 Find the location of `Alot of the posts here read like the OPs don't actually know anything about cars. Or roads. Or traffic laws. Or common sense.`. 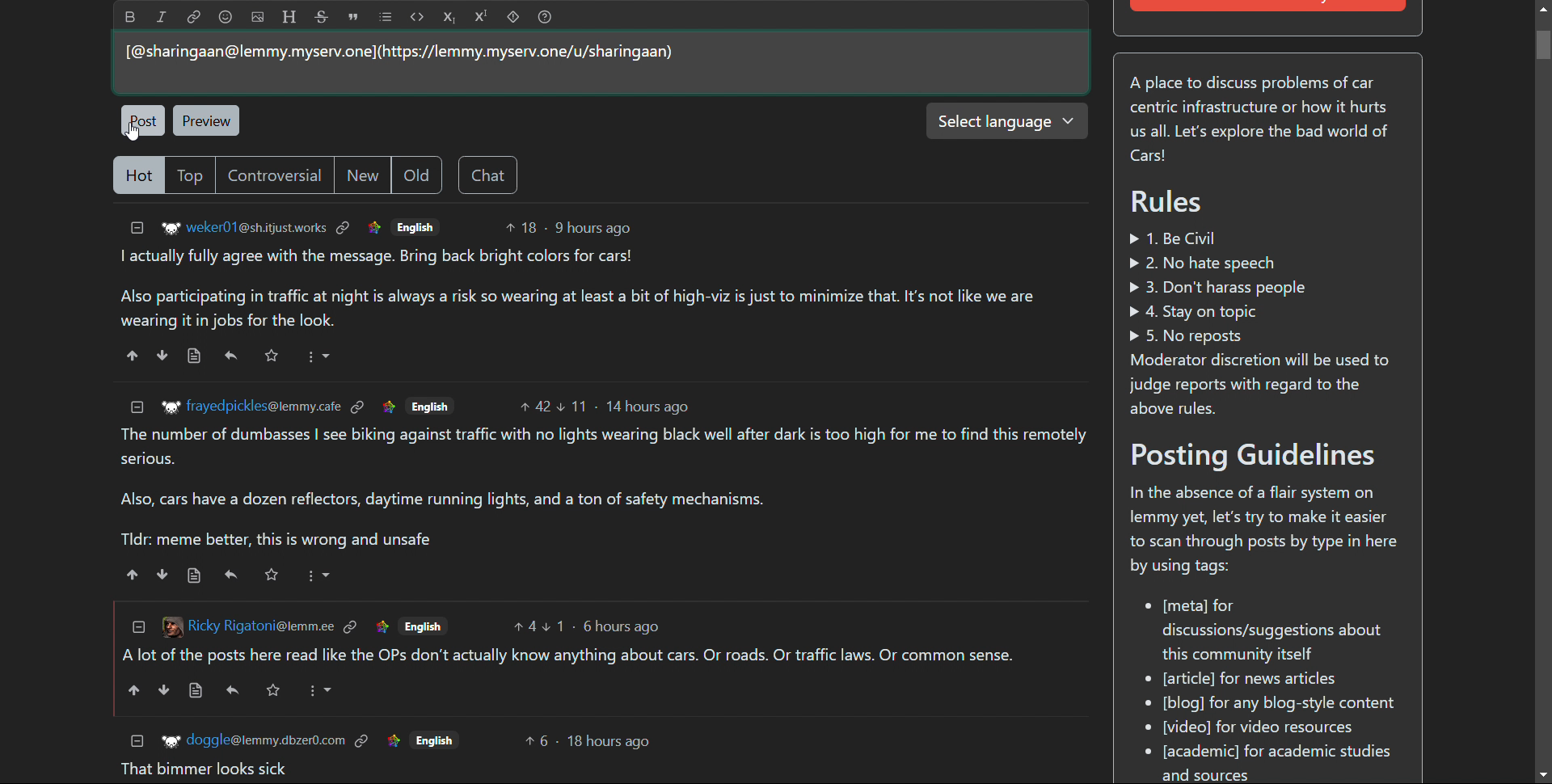

Alot of the posts here read like the OPs don't actually know anything about cars. Or roads. Or traffic laws. Or common sense. is located at coordinates (571, 657).